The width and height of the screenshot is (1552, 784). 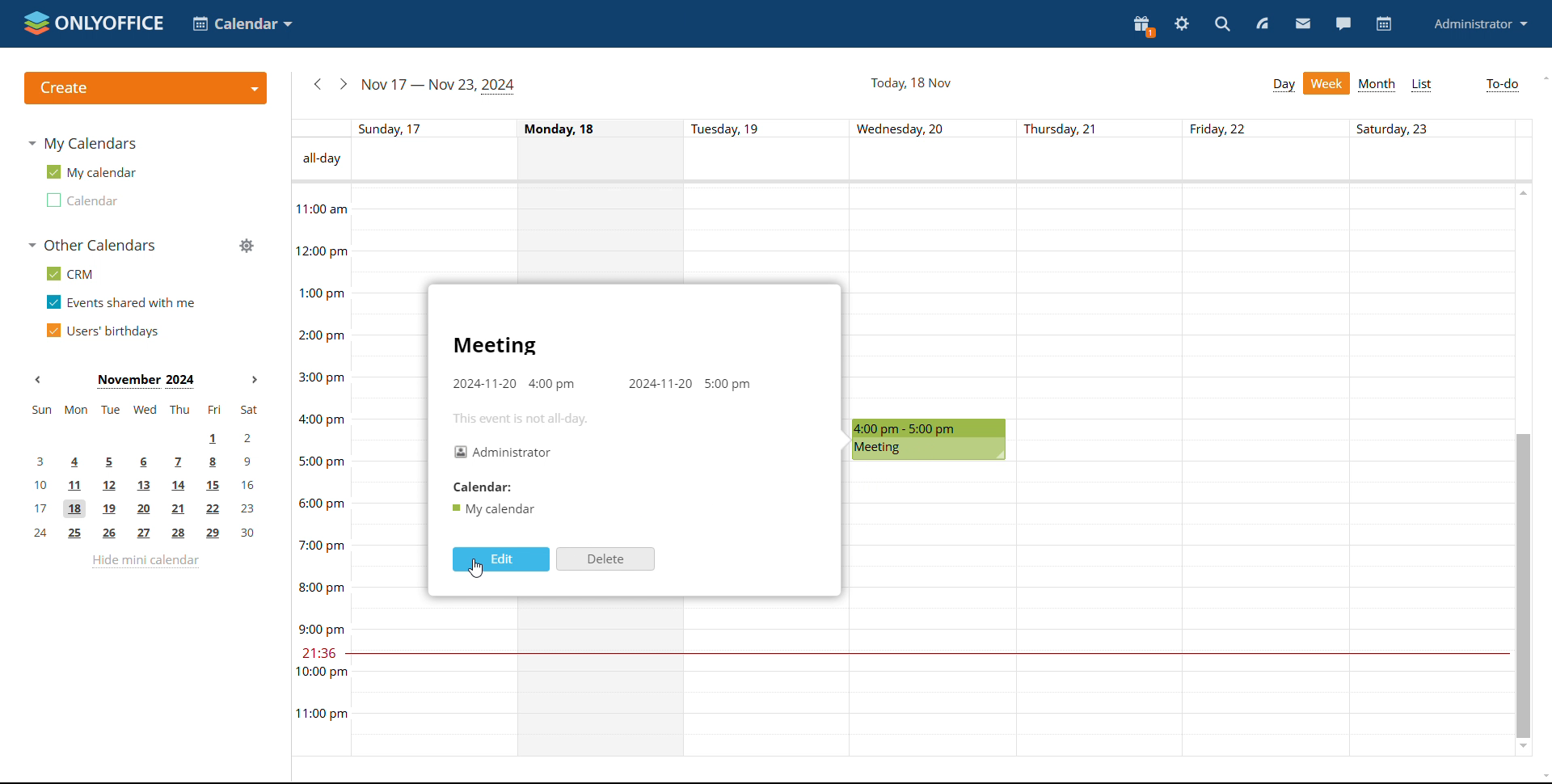 What do you see at coordinates (145, 561) in the screenshot?
I see `hide mini calendar` at bounding box center [145, 561].